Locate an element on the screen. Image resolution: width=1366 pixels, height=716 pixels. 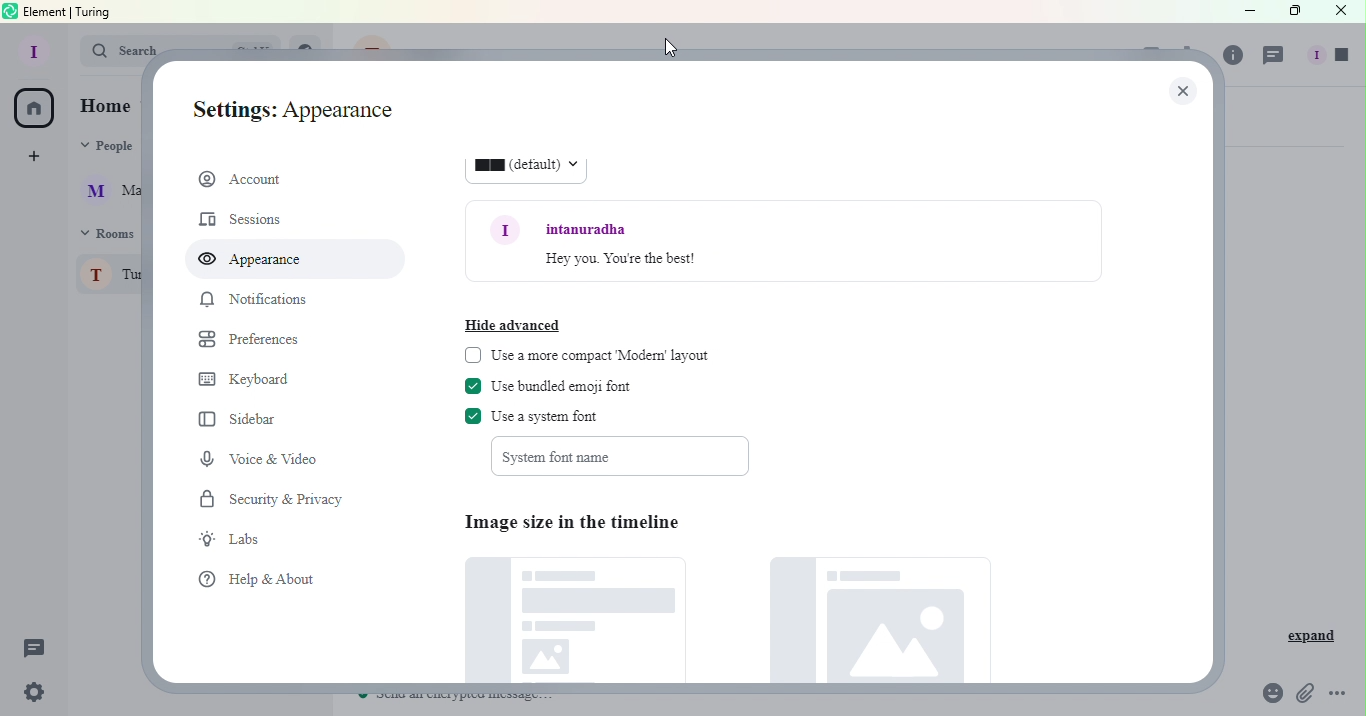
Appearance is located at coordinates (291, 260).